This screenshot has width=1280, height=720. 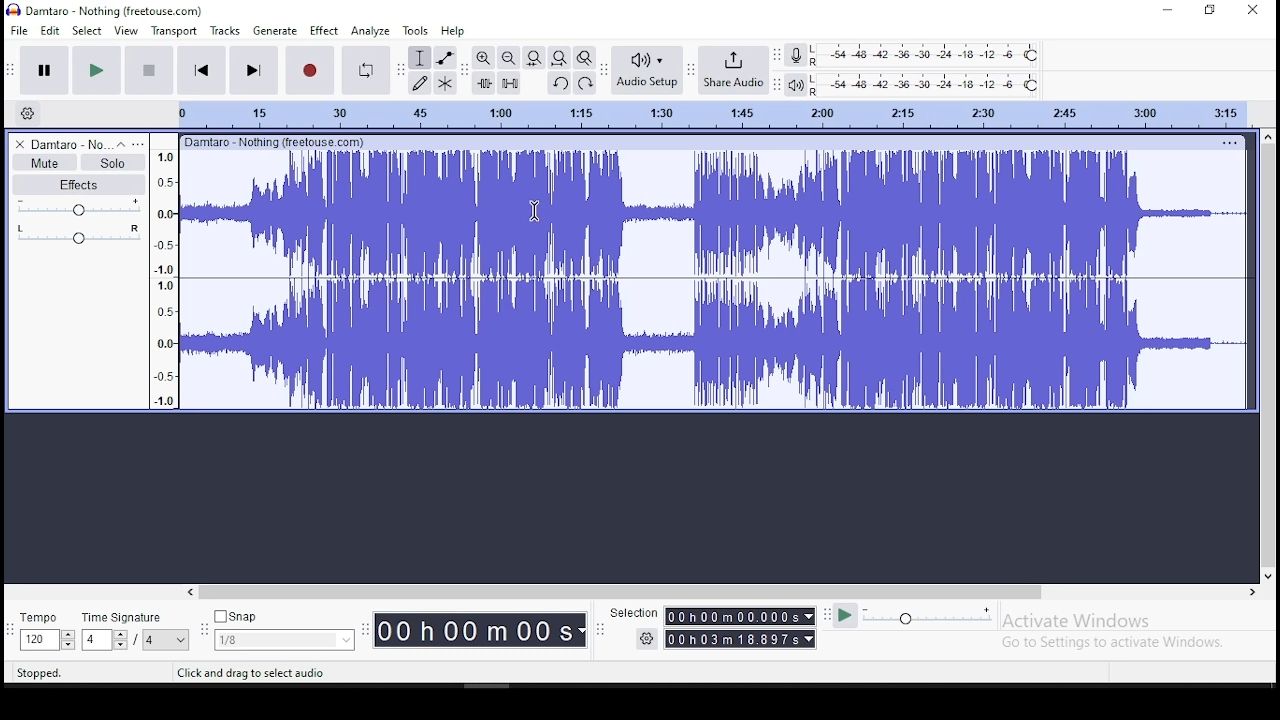 I want to click on generate, so click(x=275, y=30).